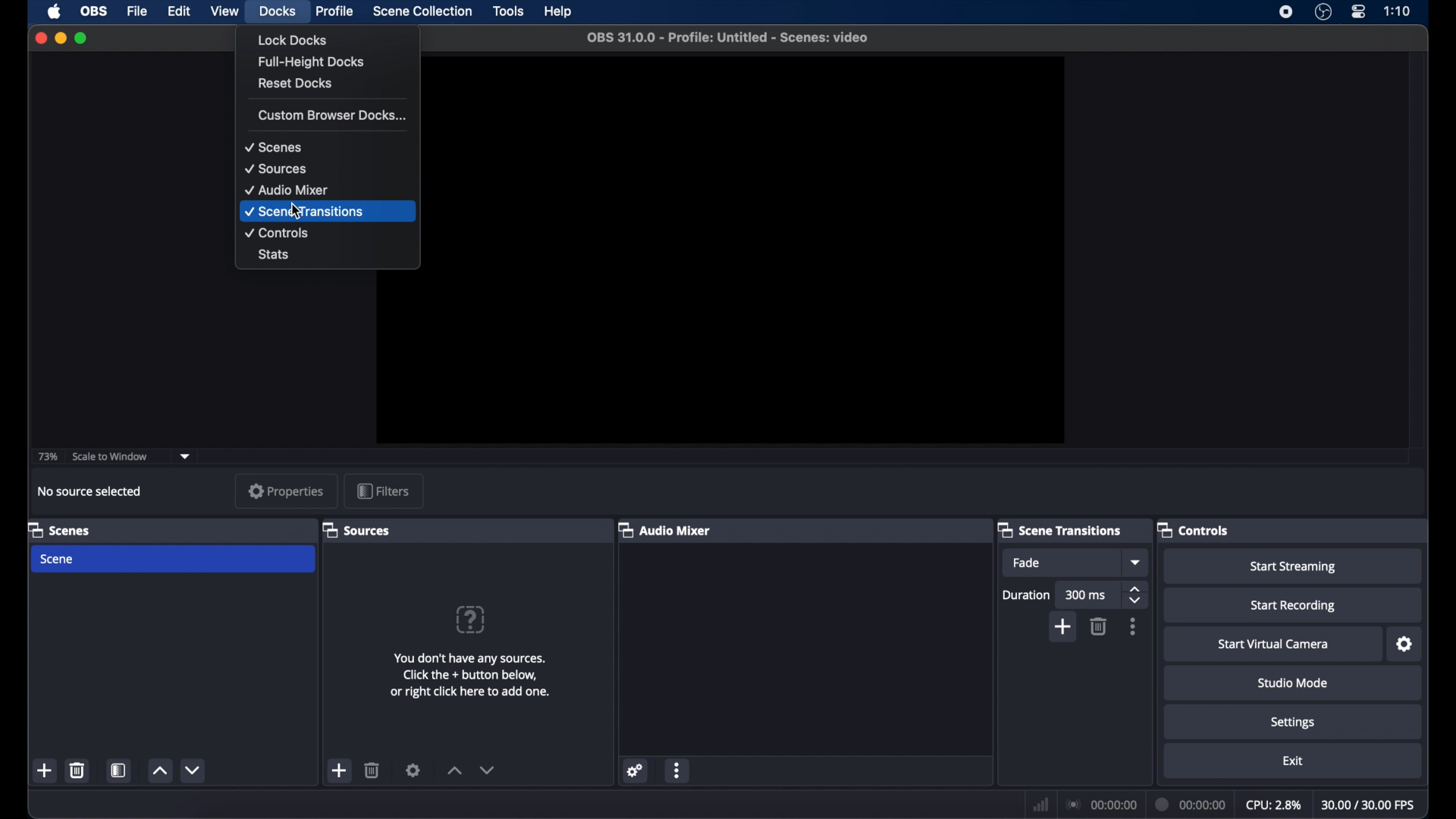 Image resolution: width=1456 pixels, height=819 pixels. Describe the element at coordinates (385, 491) in the screenshot. I see `filters` at that location.